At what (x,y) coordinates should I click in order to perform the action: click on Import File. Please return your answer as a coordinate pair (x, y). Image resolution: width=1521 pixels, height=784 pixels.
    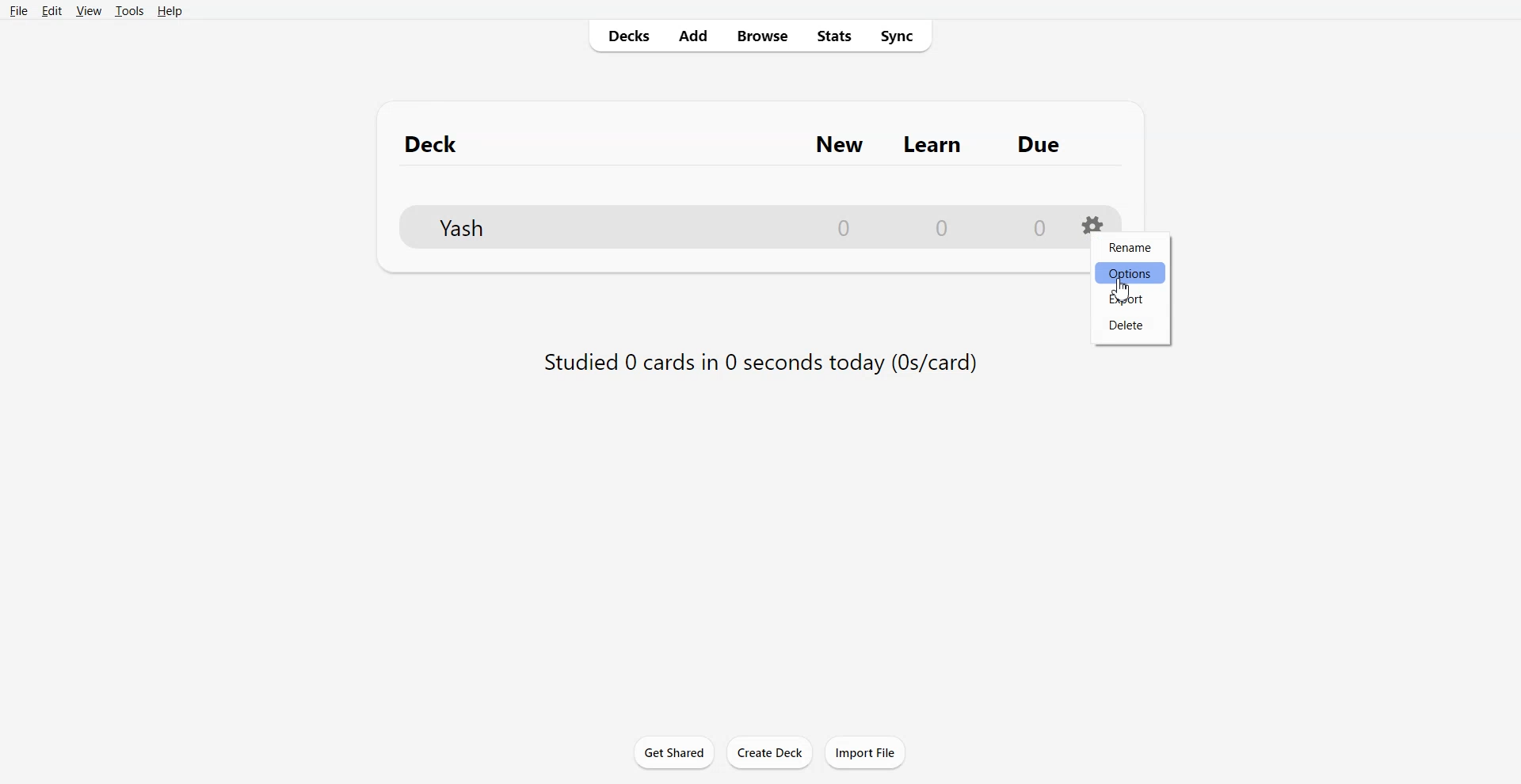
    Looking at the image, I should click on (865, 752).